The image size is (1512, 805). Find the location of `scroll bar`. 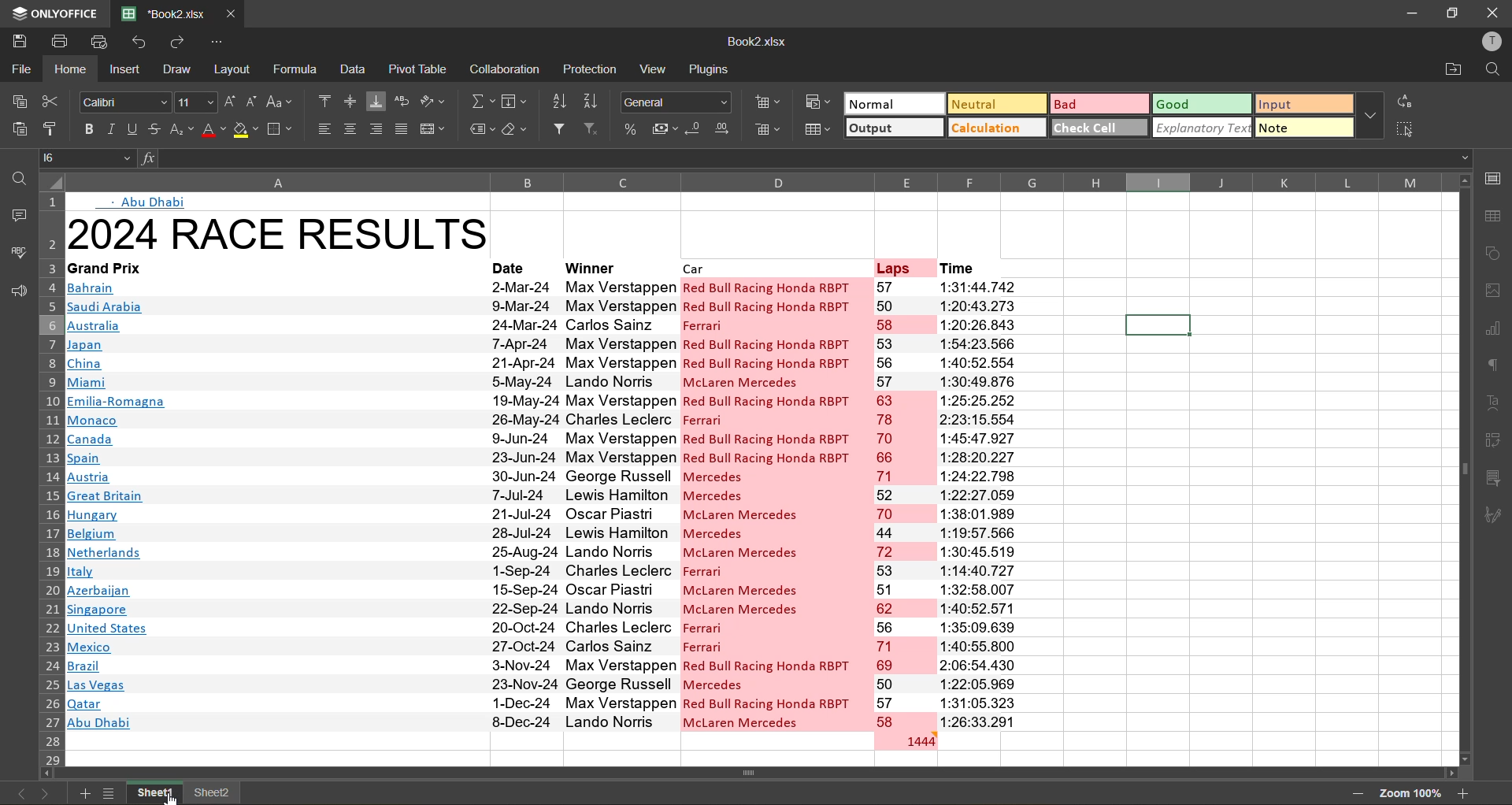

scroll bar is located at coordinates (1460, 412).